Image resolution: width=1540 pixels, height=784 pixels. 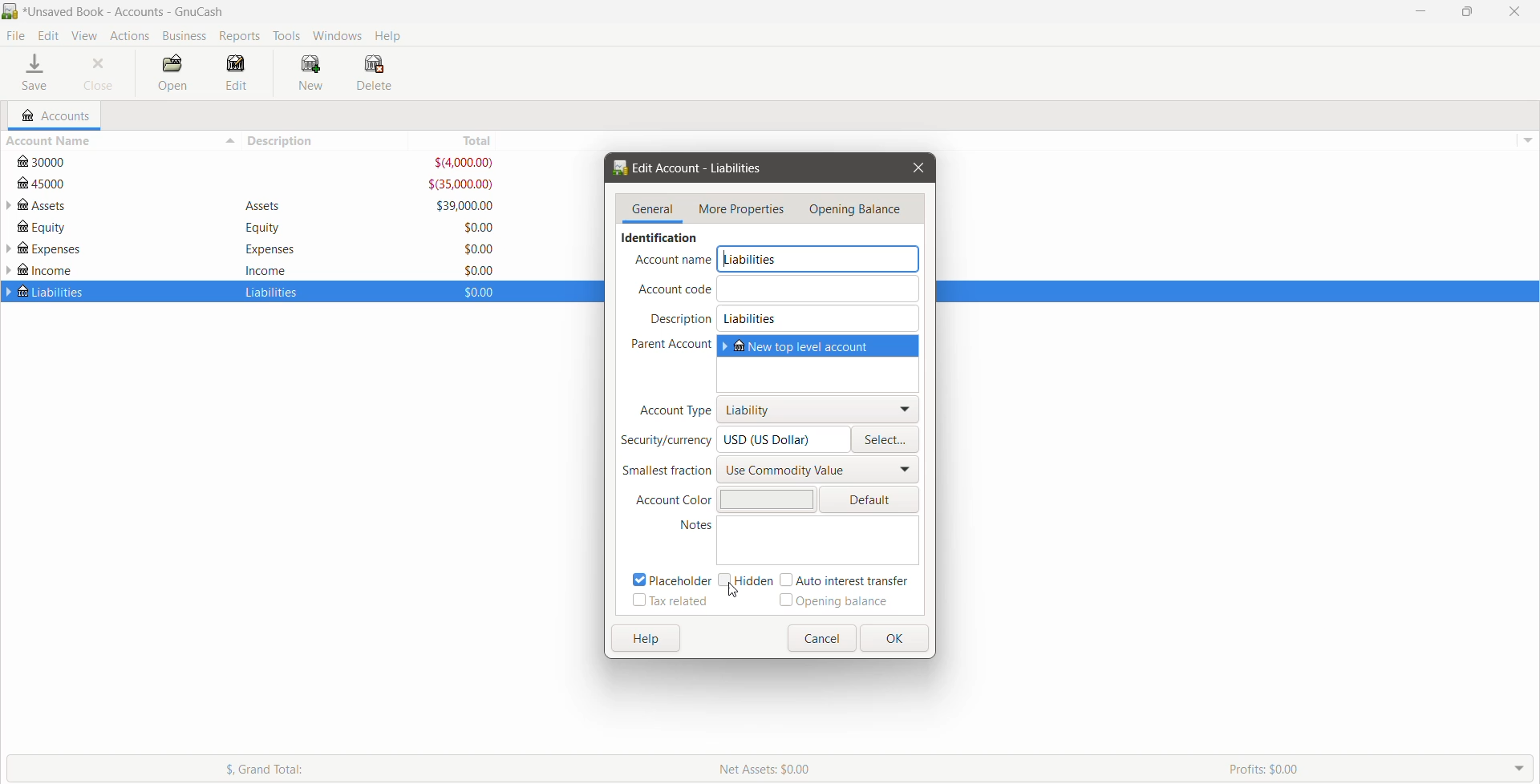 What do you see at coordinates (1526, 136) in the screenshot?
I see `options` at bounding box center [1526, 136].